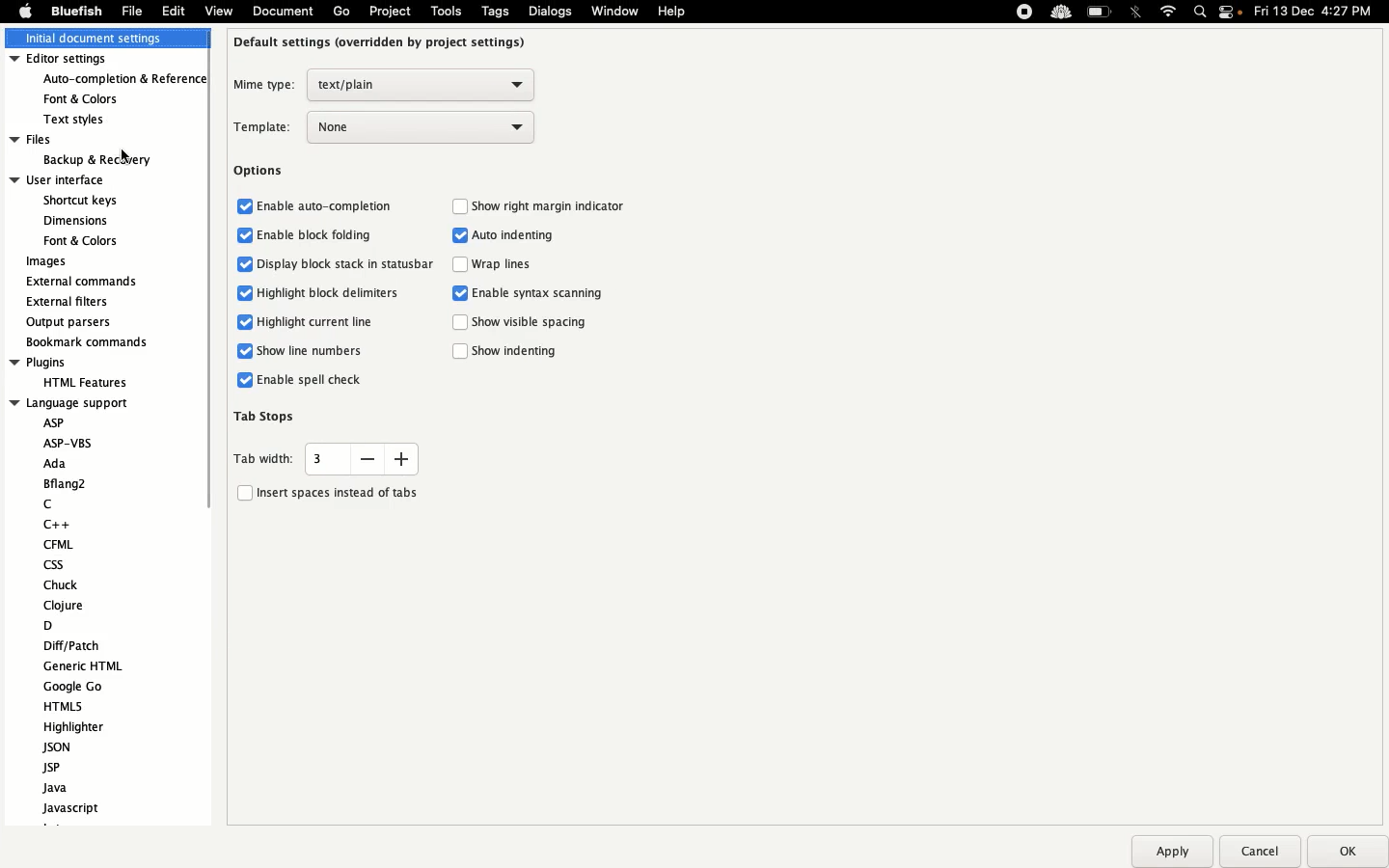 The width and height of the screenshot is (1389, 868). I want to click on Dialogs, so click(551, 10).